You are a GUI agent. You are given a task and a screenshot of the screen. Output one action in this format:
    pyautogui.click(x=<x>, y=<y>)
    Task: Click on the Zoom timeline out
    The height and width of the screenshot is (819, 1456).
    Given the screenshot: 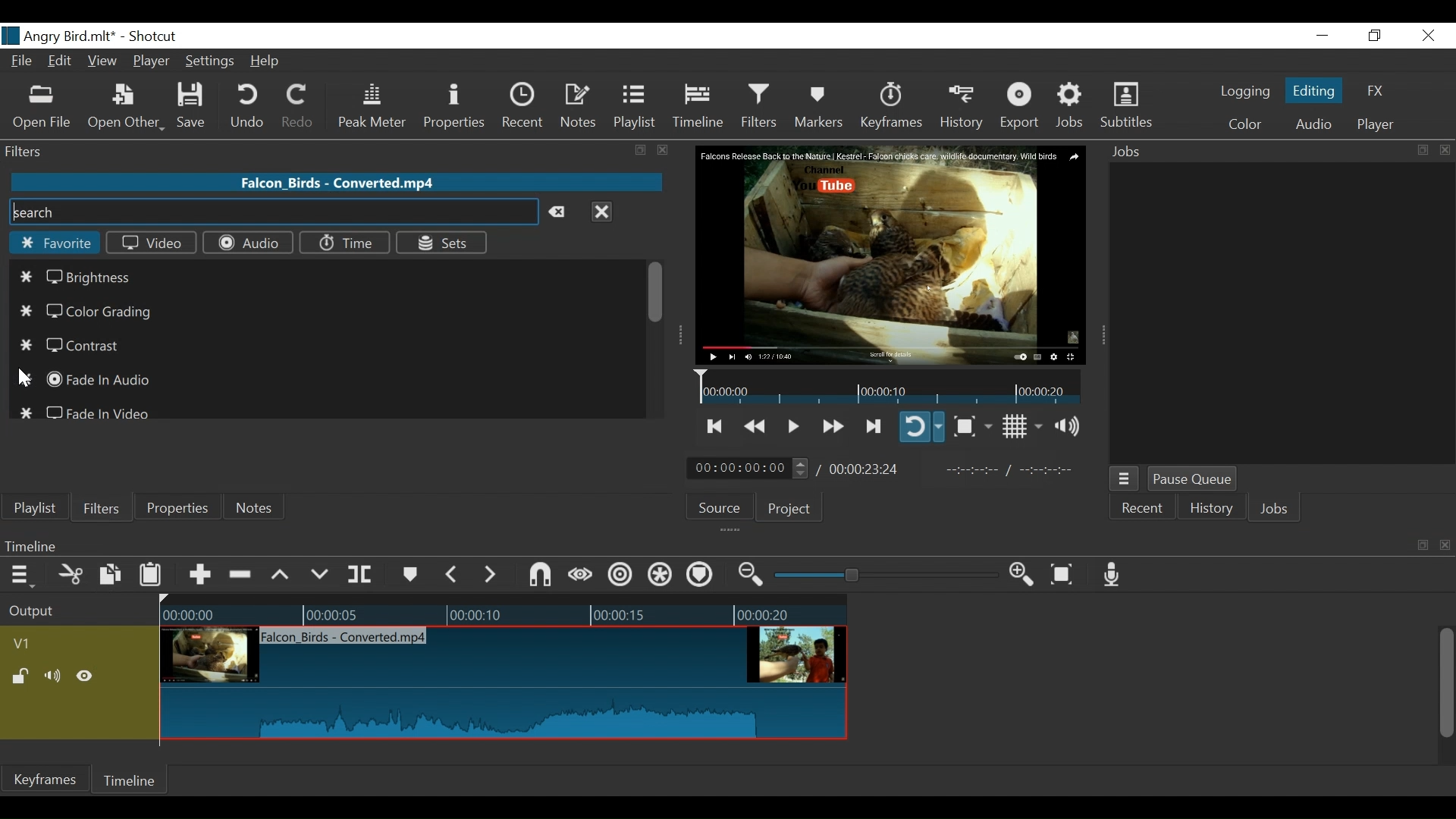 What is the action you would take?
    pyautogui.click(x=753, y=575)
    